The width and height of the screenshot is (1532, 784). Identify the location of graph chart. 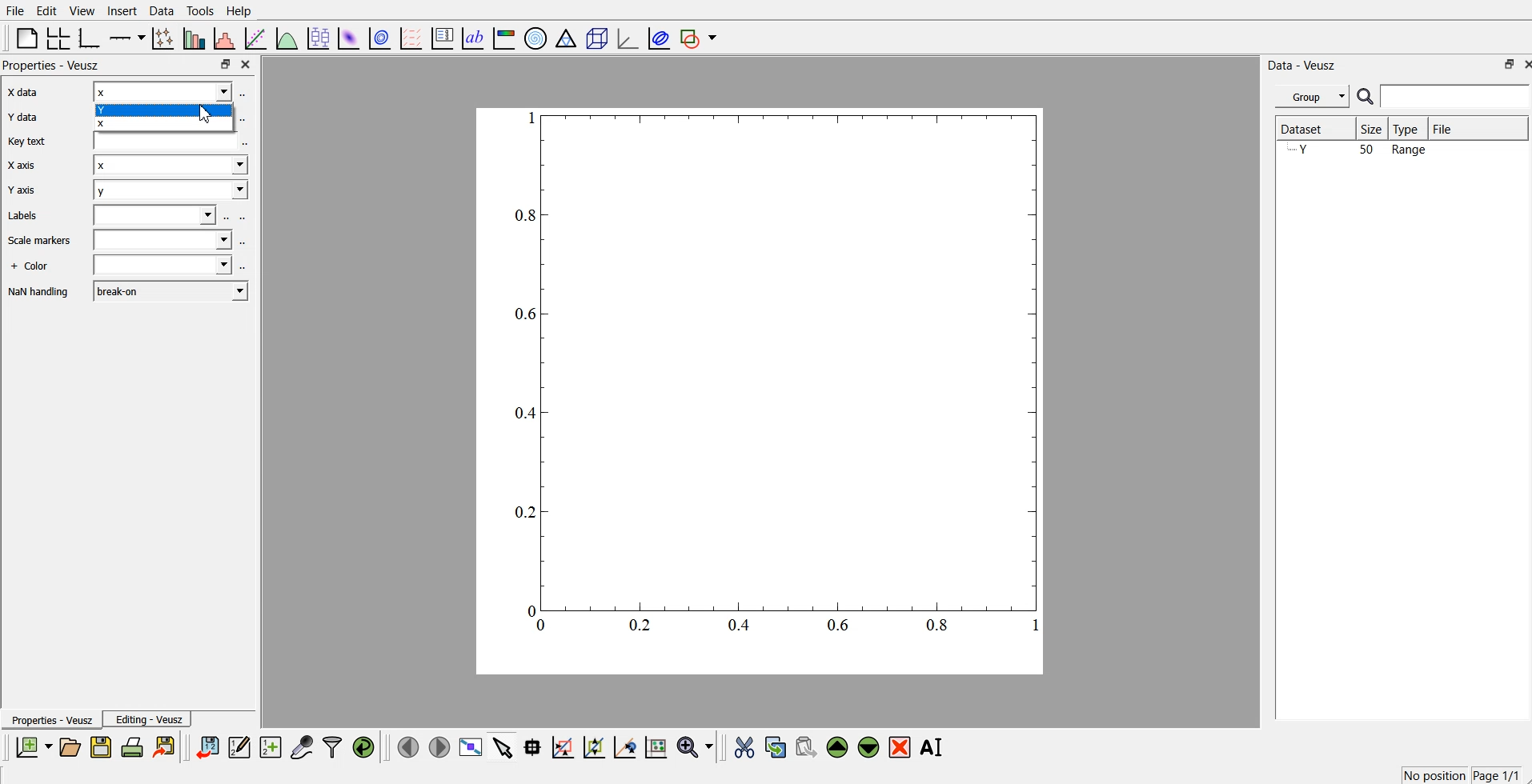
(761, 390).